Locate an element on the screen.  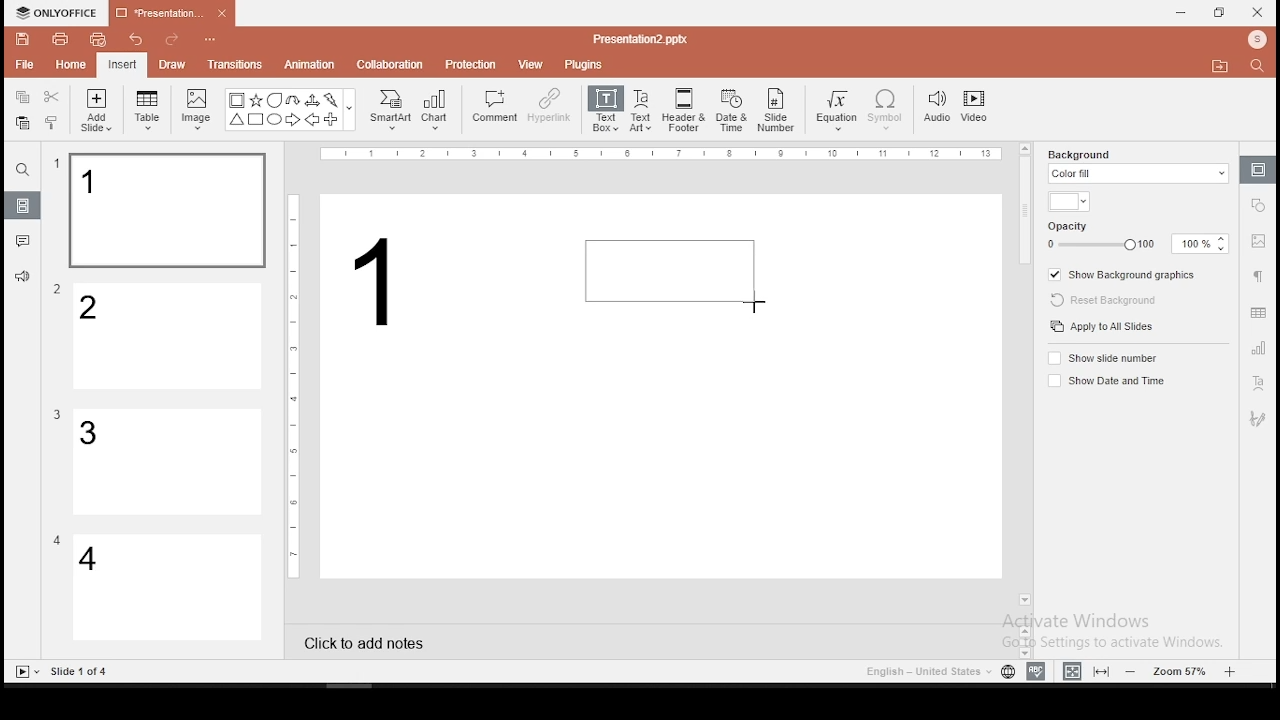
copy is located at coordinates (22, 97).